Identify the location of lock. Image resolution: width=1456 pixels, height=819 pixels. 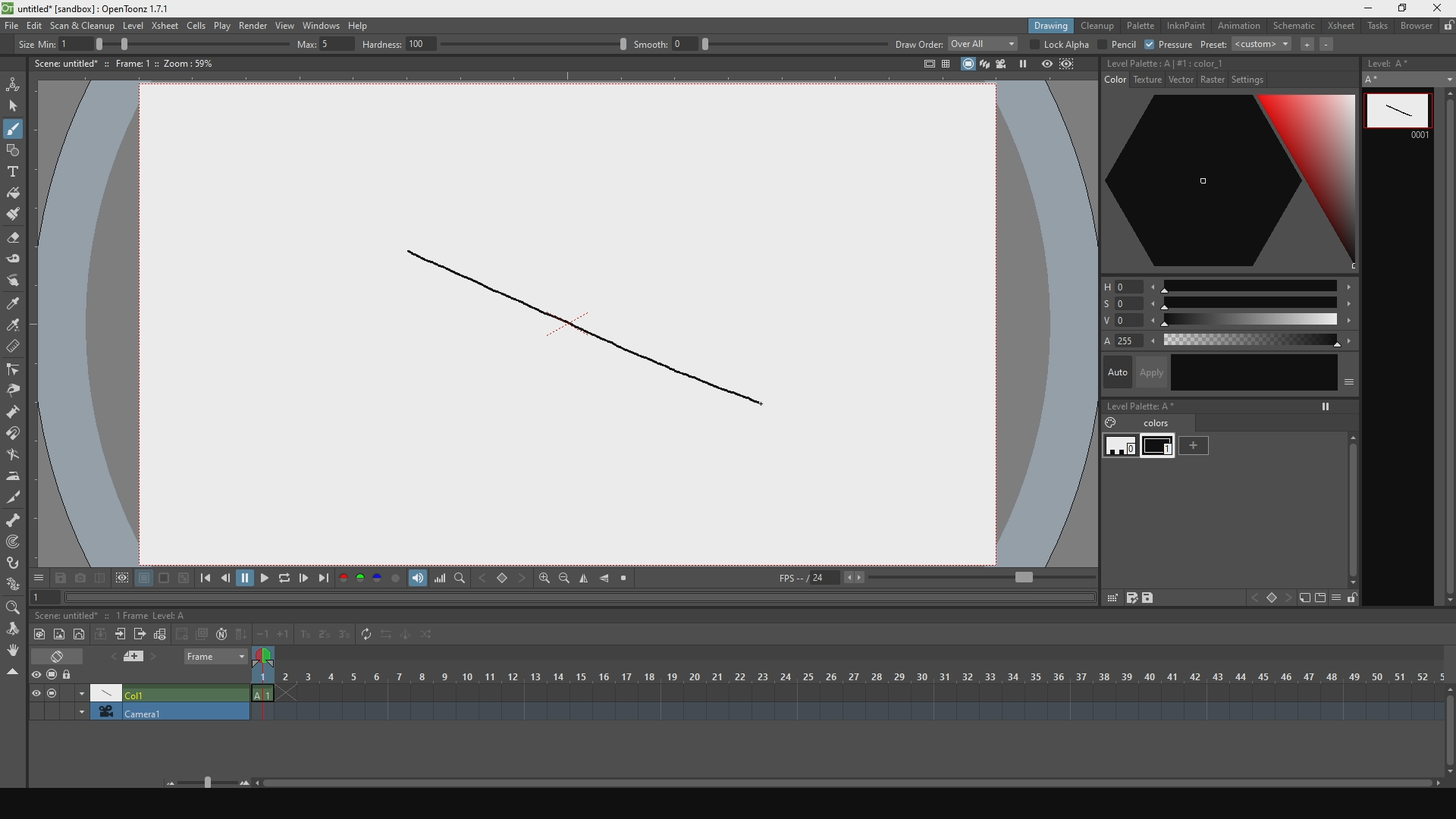
(74, 673).